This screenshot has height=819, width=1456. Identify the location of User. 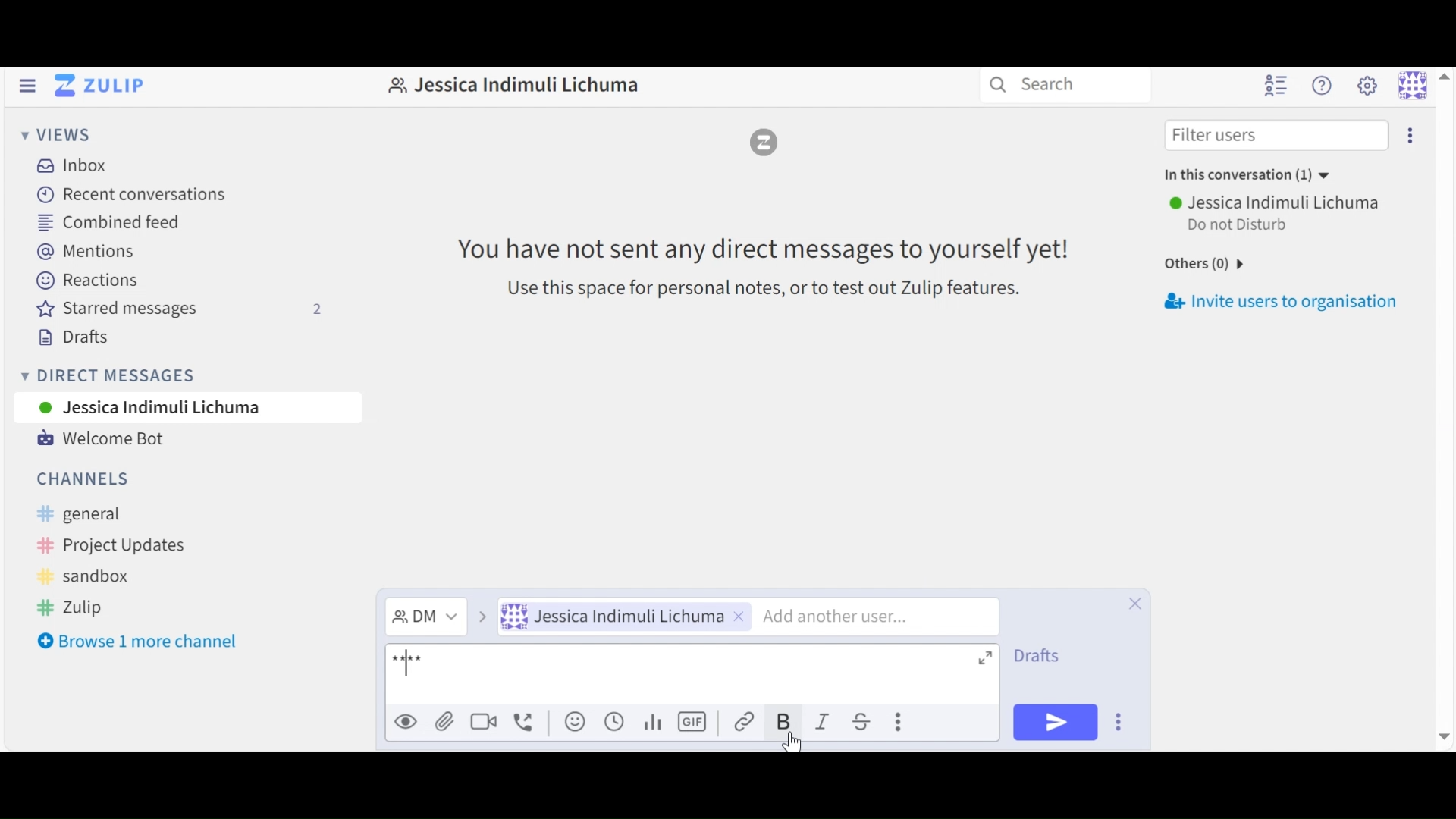
(163, 408).